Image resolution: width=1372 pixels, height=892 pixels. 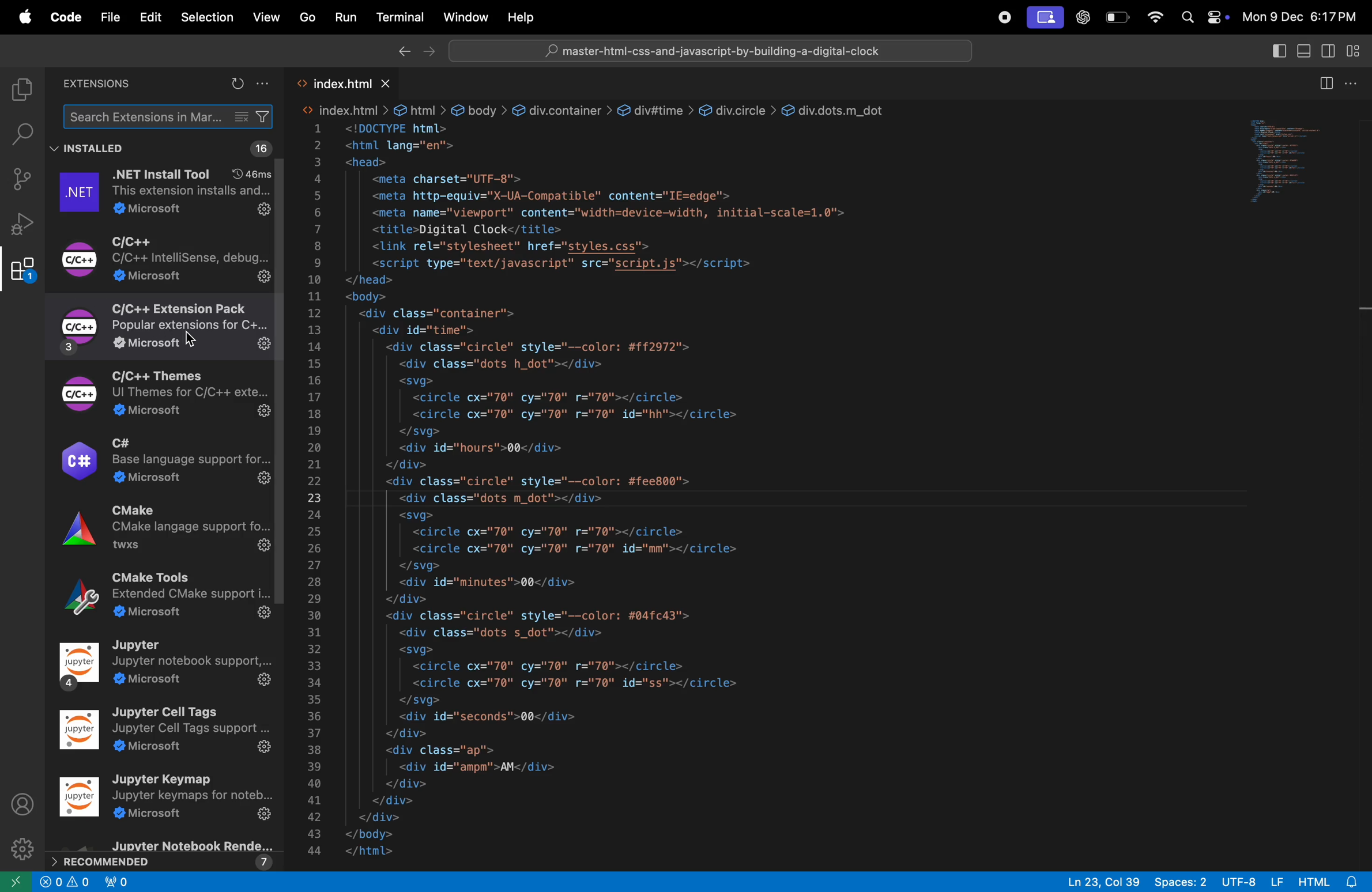 What do you see at coordinates (267, 85) in the screenshot?
I see `options` at bounding box center [267, 85].